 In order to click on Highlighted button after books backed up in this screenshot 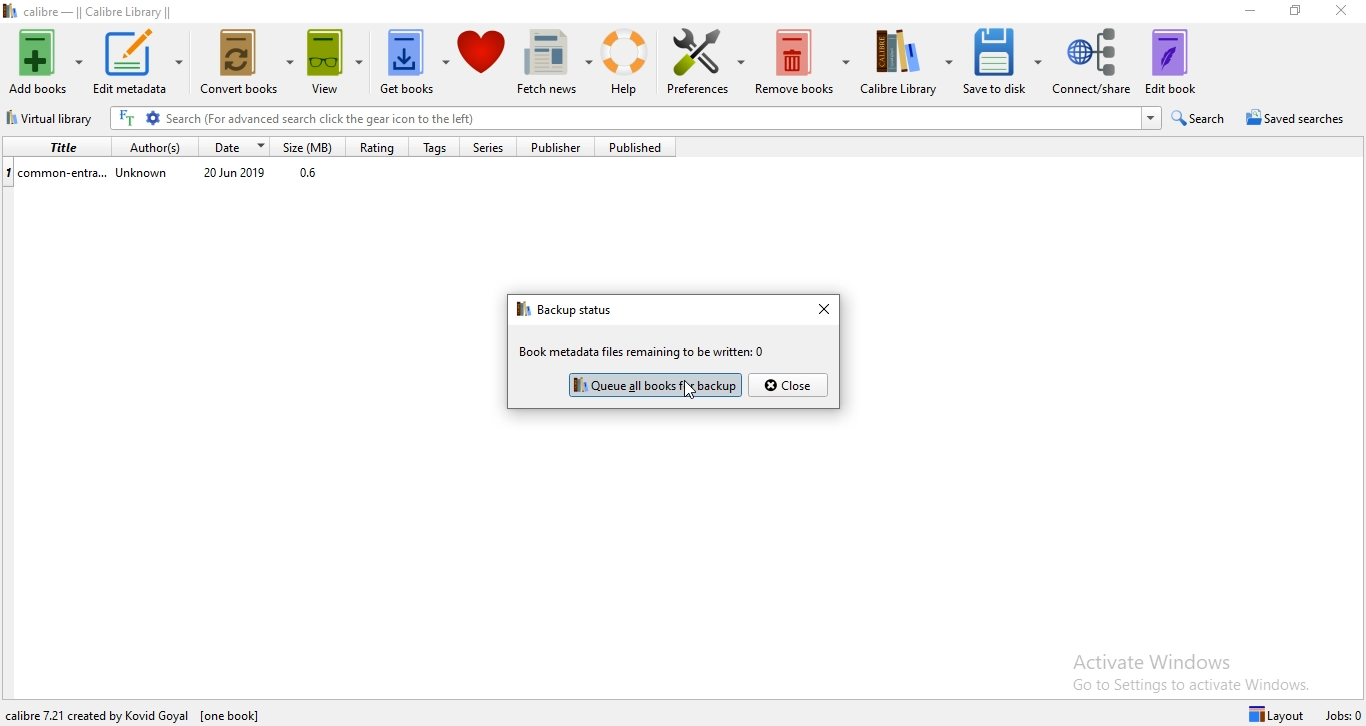, I will do `click(653, 386)`.